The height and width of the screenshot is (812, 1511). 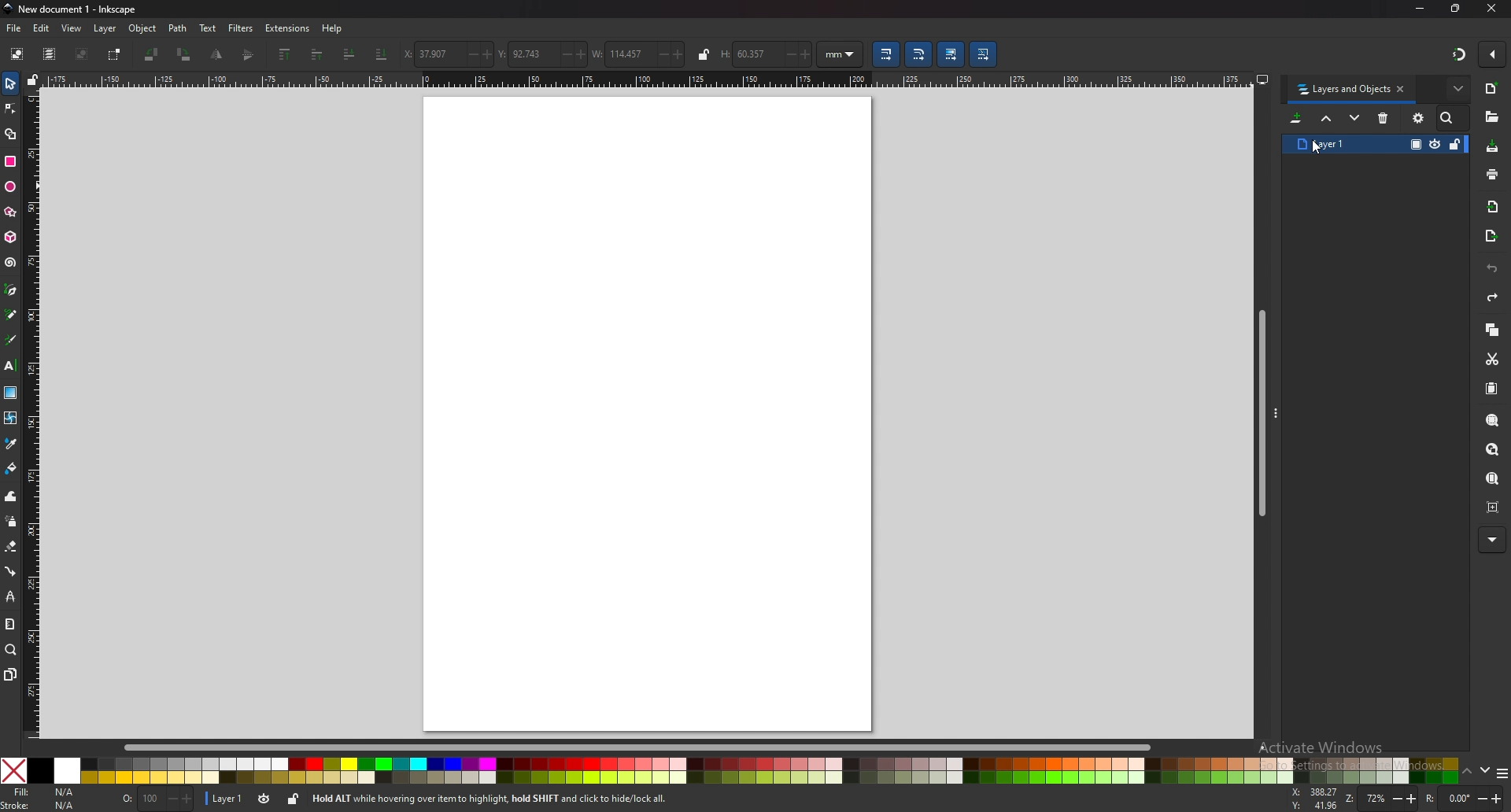 I want to click on deselect, so click(x=81, y=54).